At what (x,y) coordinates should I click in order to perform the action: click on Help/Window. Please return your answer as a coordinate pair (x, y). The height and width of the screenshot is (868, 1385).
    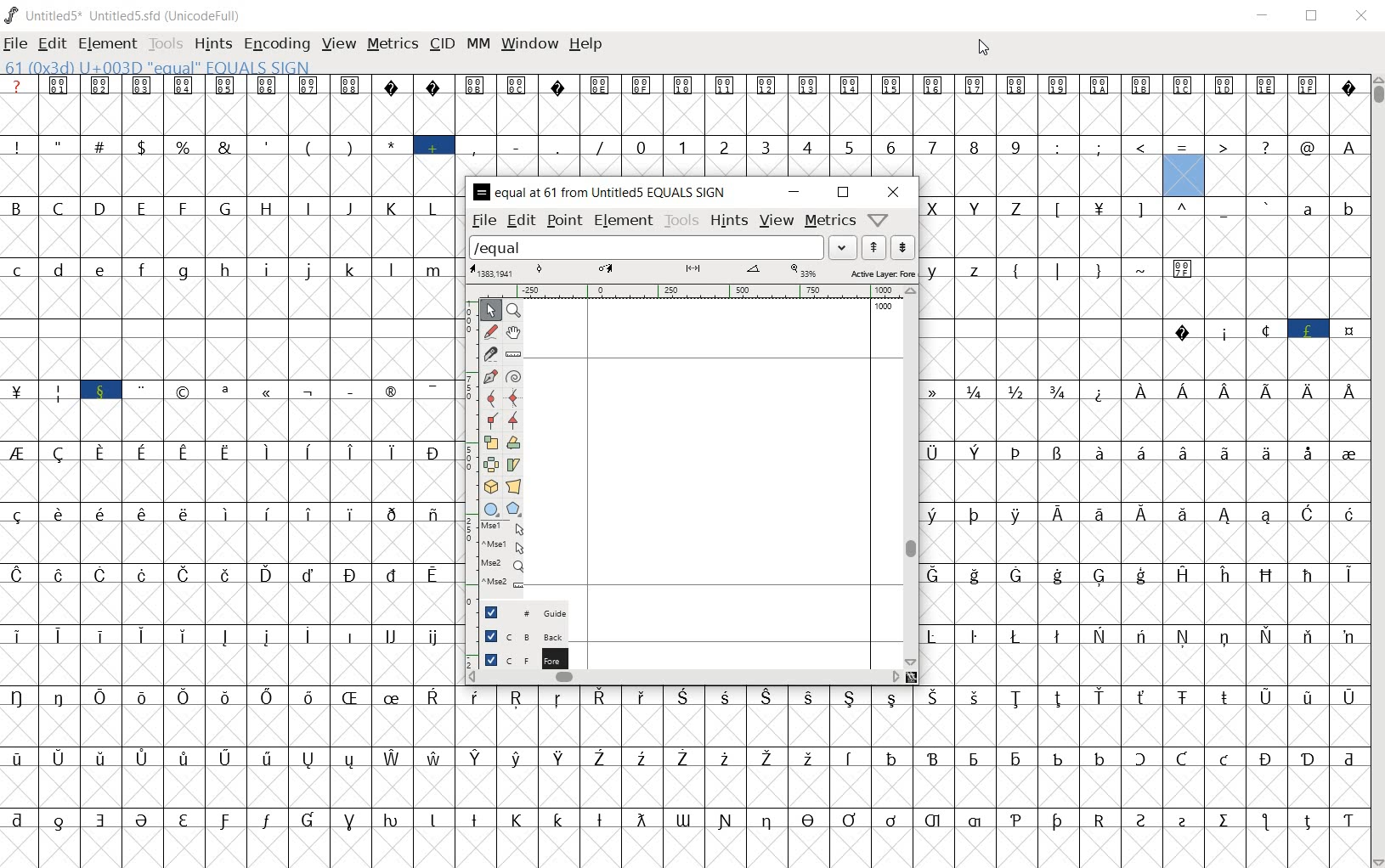
    Looking at the image, I should click on (879, 219).